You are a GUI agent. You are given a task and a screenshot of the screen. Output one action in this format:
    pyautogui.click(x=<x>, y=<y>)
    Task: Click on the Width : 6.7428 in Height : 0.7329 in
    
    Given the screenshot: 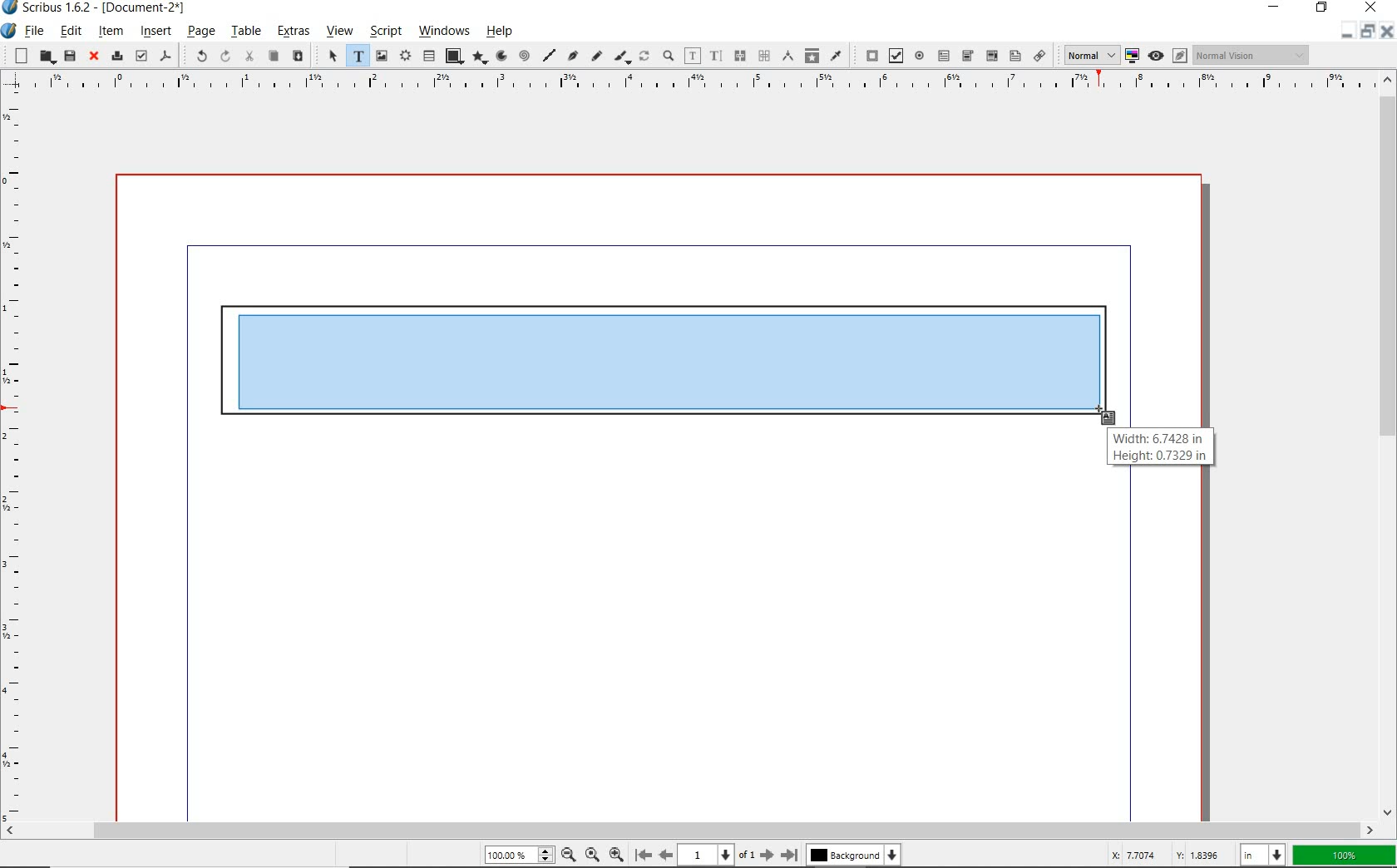 What is the action you would take?
    pyautogui.click(x=1163, y=445)
    